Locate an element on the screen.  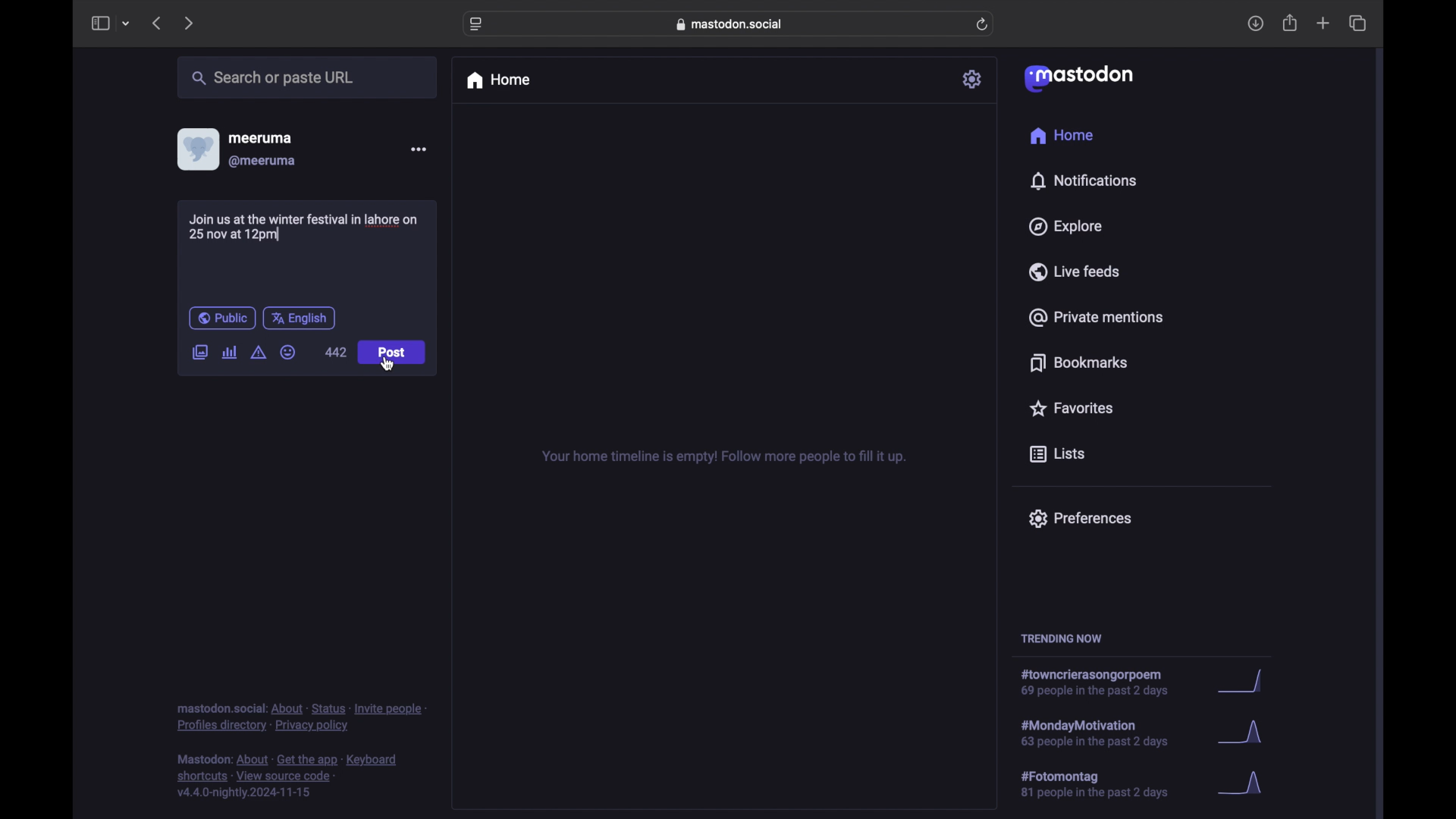
bookmarks is located at coordinates (1078, 362).